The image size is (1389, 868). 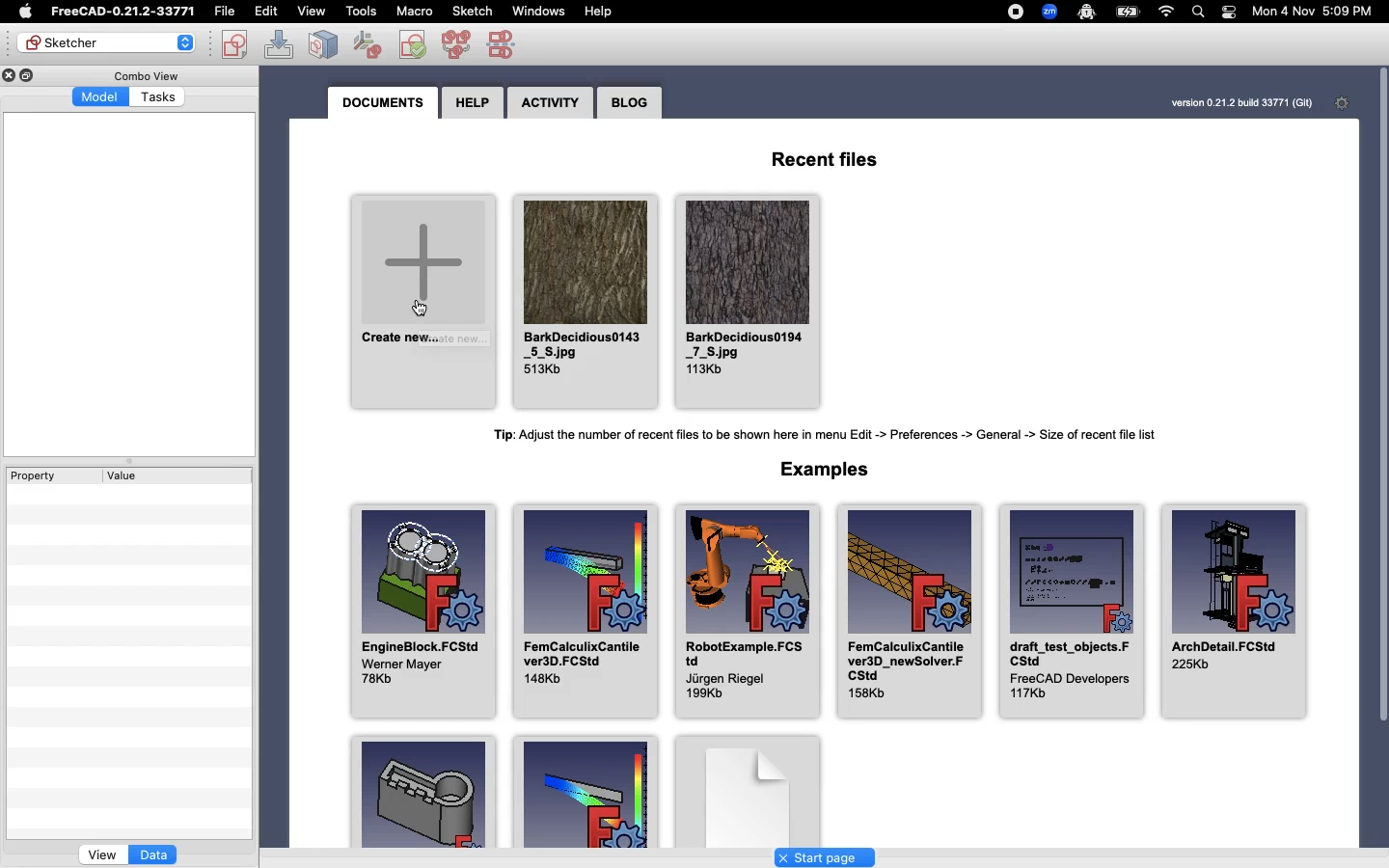 What do you see at coordinates (412, 44) in the screenshot?
I see `Reorient sketch` at bounding box center [412, 44].